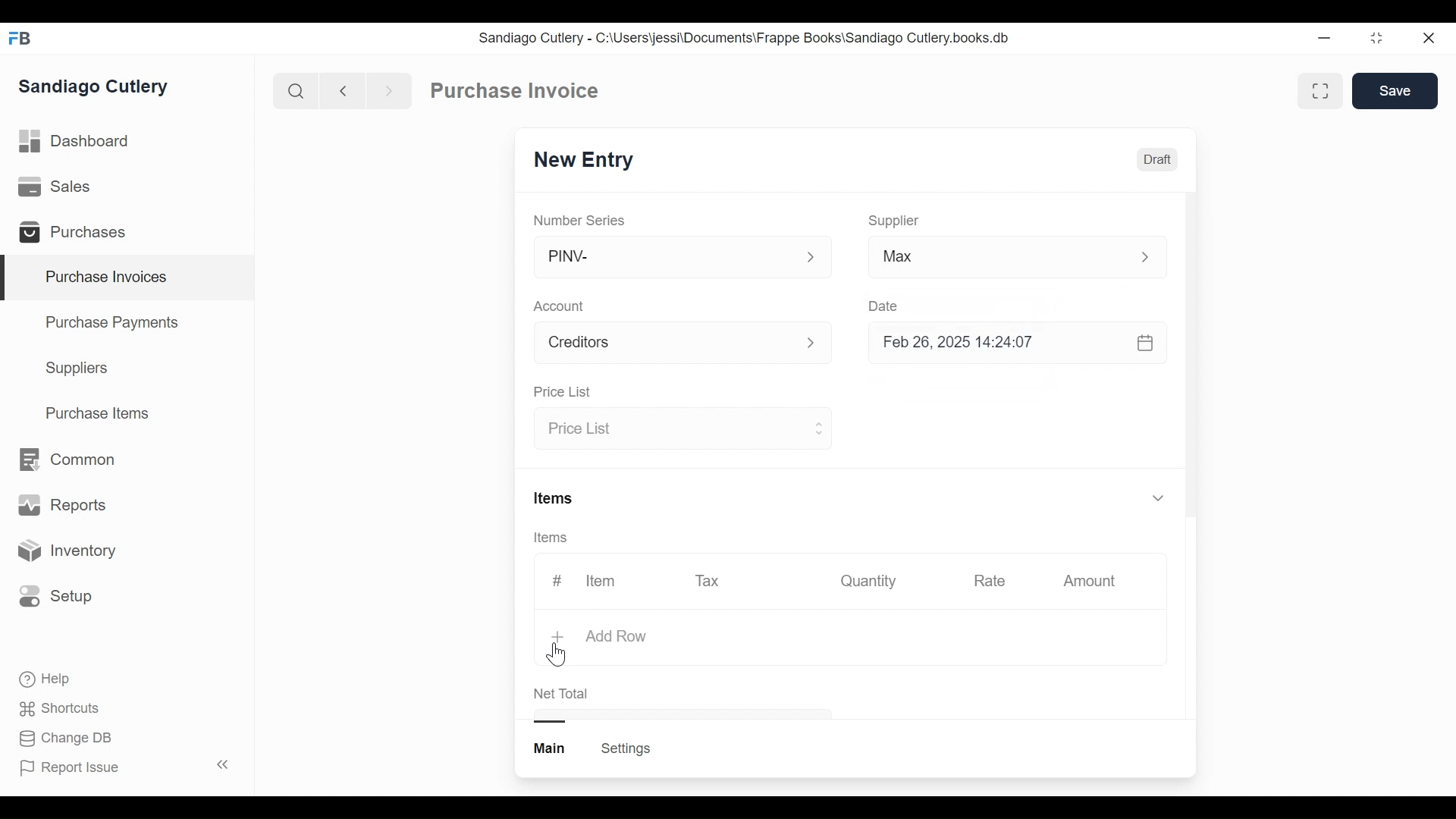 Image resolution: width=1456 pixels, height=819 pixels. Describe the element at coordinates (98, 415) in the screenshot. I see `Purchase Items` at that location.